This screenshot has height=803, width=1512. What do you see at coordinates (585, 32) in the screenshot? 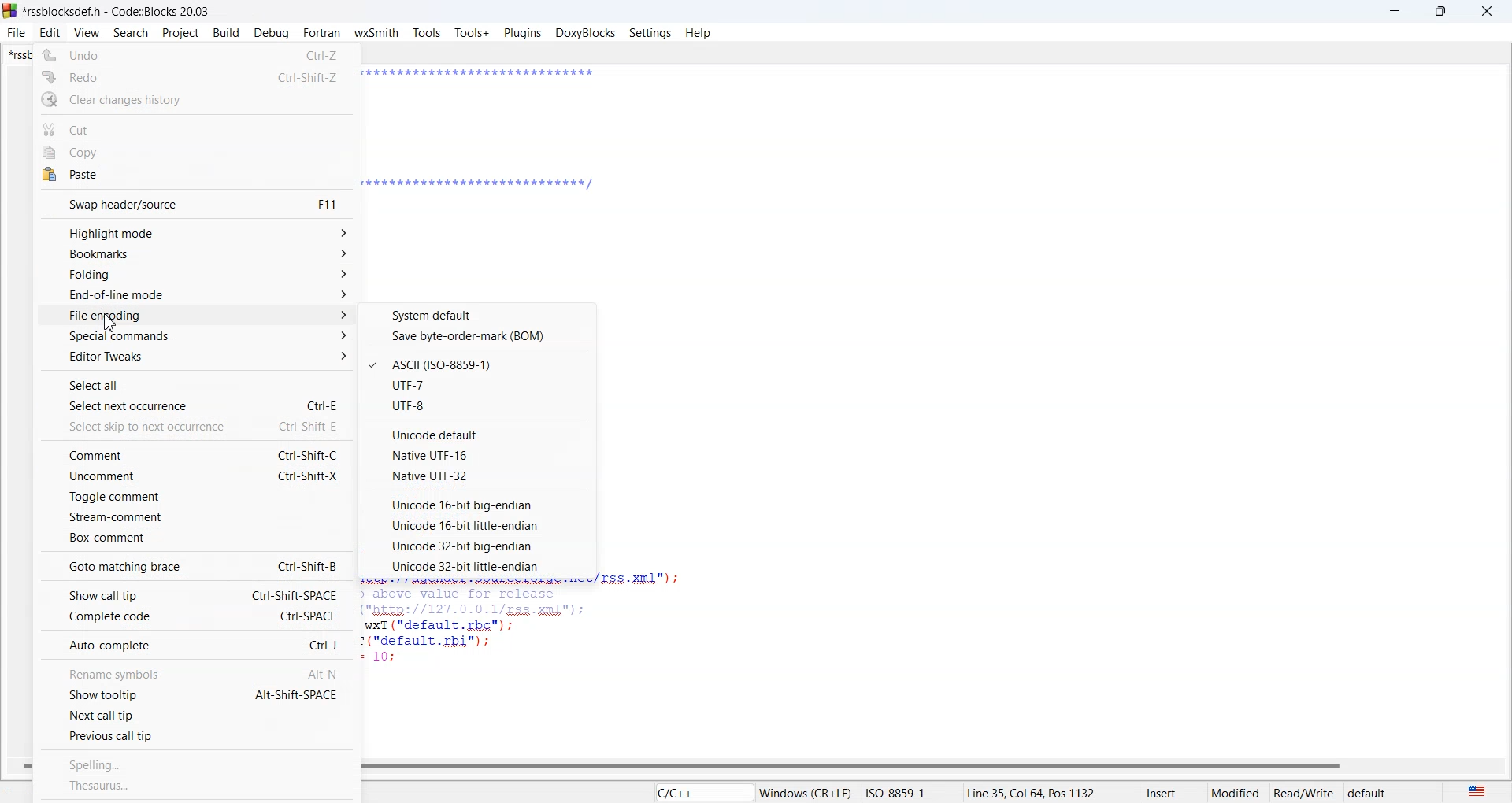
I see `Doxyblocks` at bounding box center [585, 32].